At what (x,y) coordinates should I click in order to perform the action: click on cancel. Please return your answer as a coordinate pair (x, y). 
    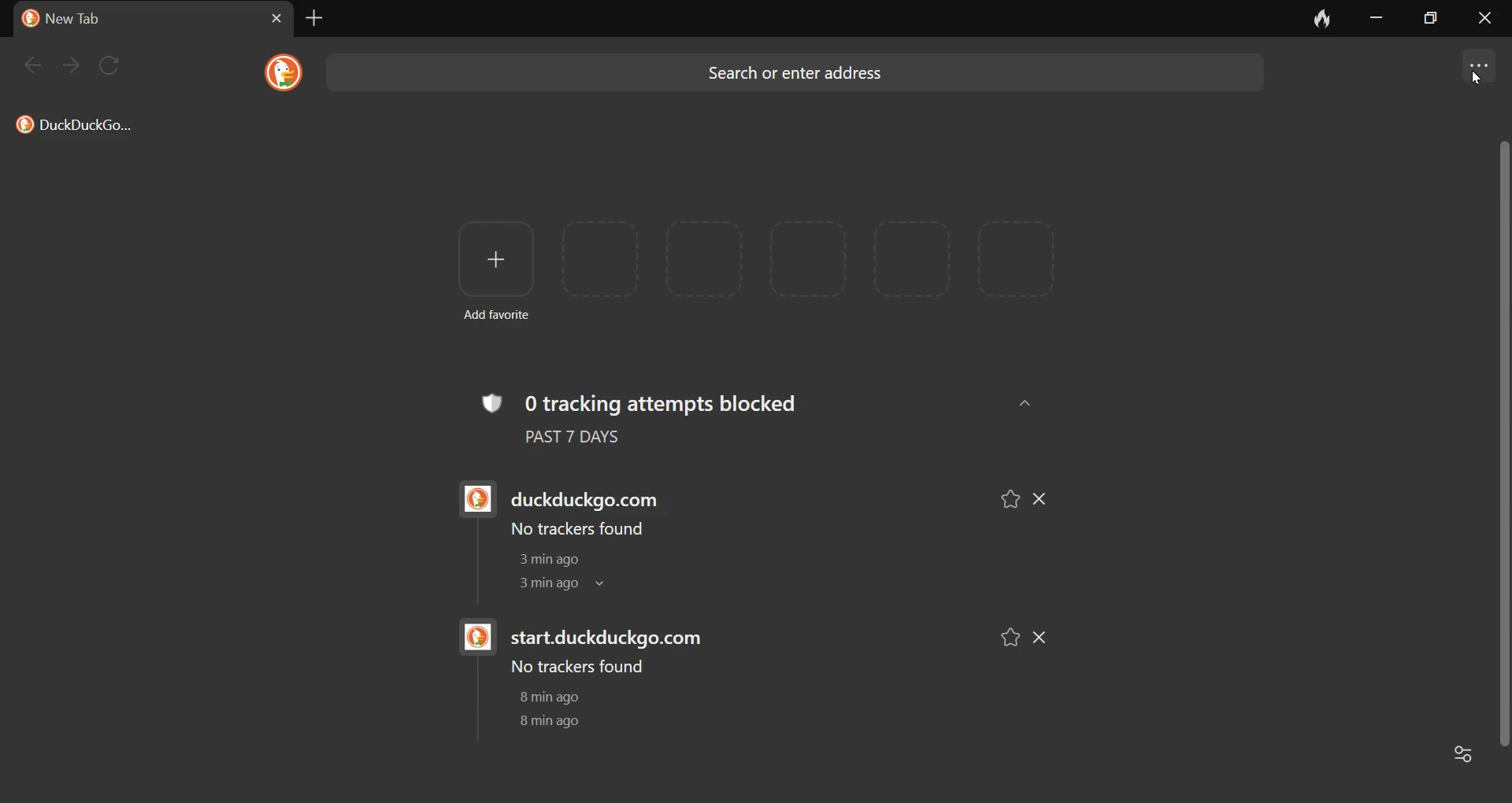
    Looking at the image, I should click on (1051, 495).